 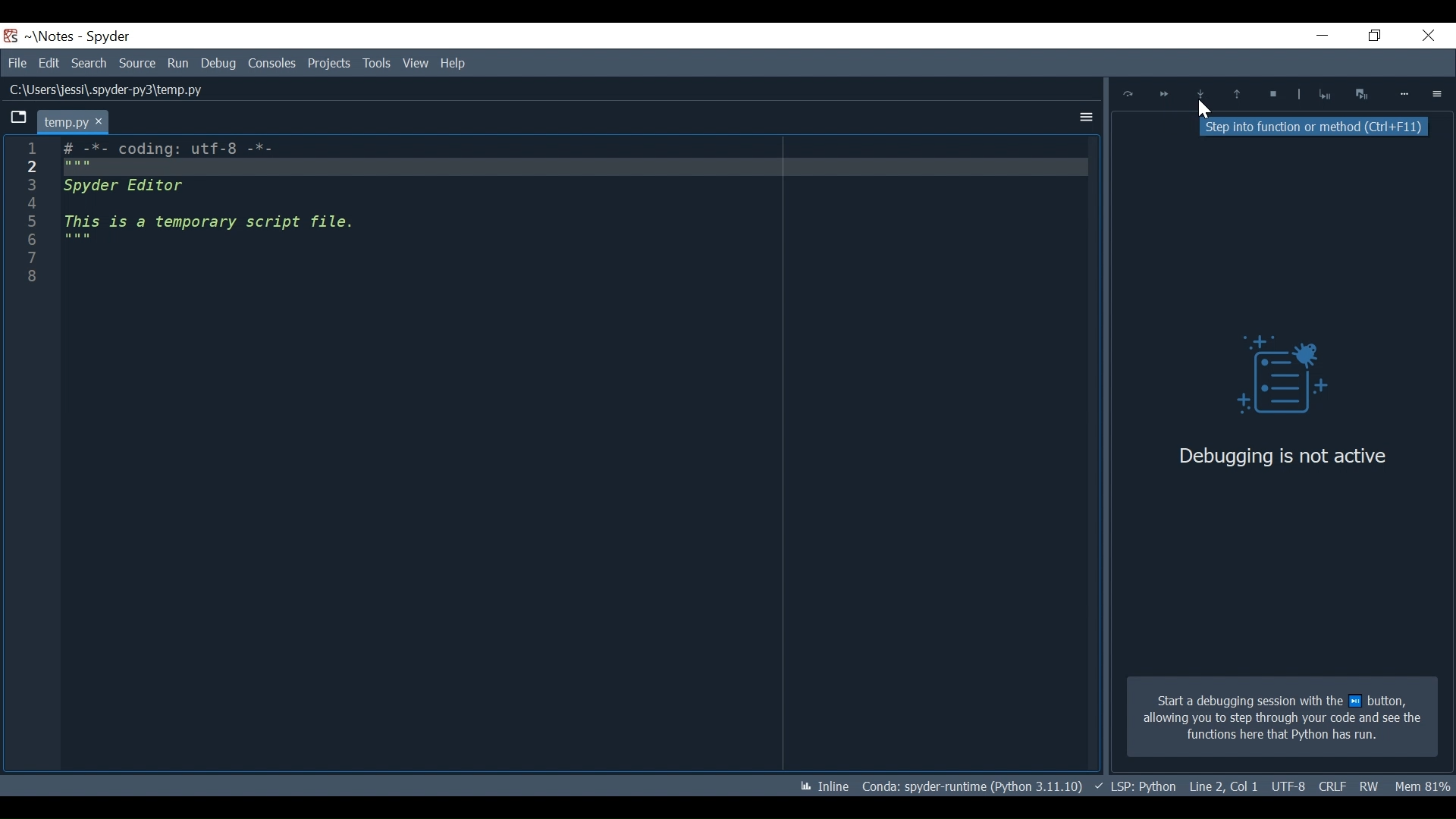 I want to click on Editor, so click(x=231, y=218).